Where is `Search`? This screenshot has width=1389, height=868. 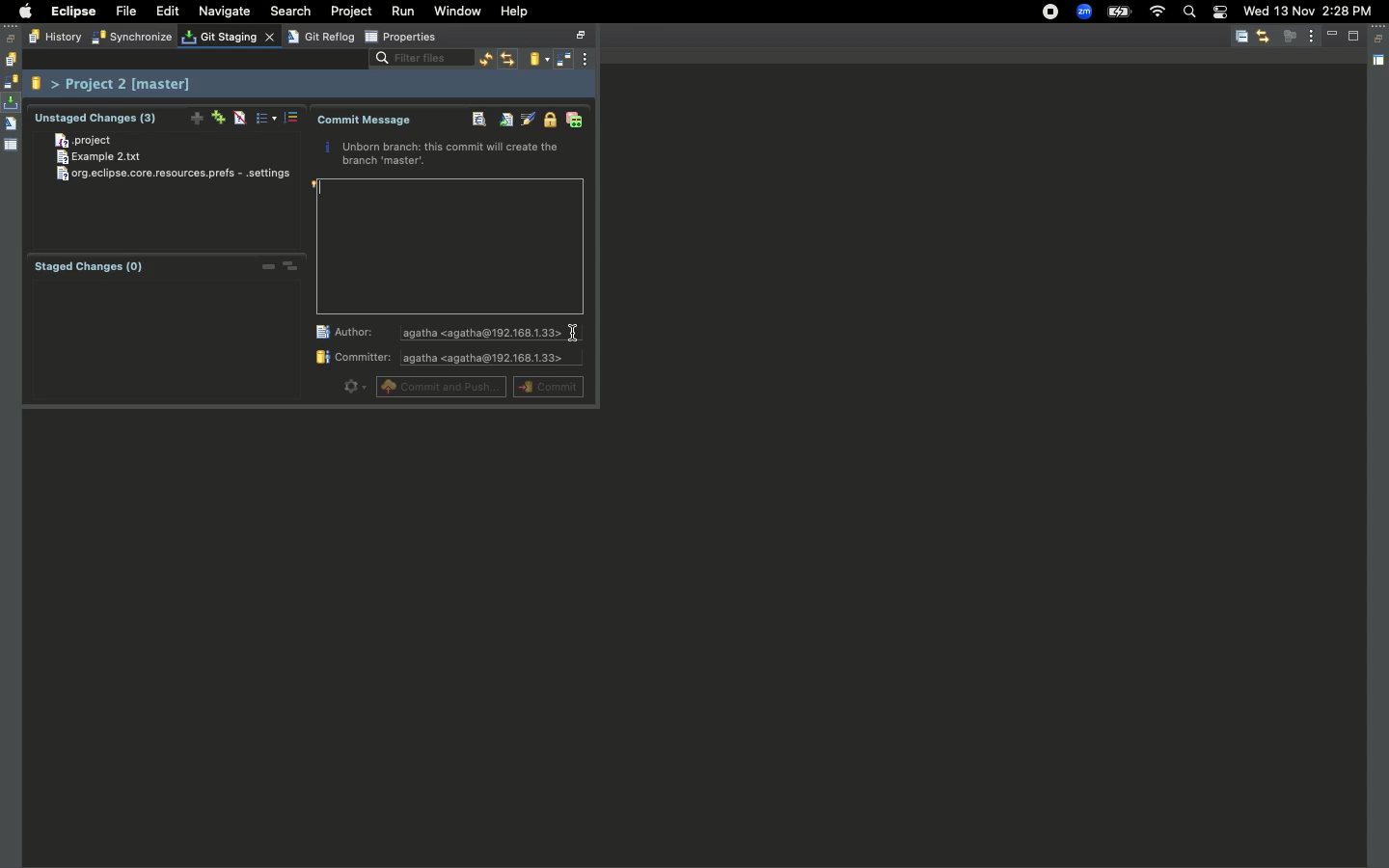
Search is located at coordinates (294, 12).